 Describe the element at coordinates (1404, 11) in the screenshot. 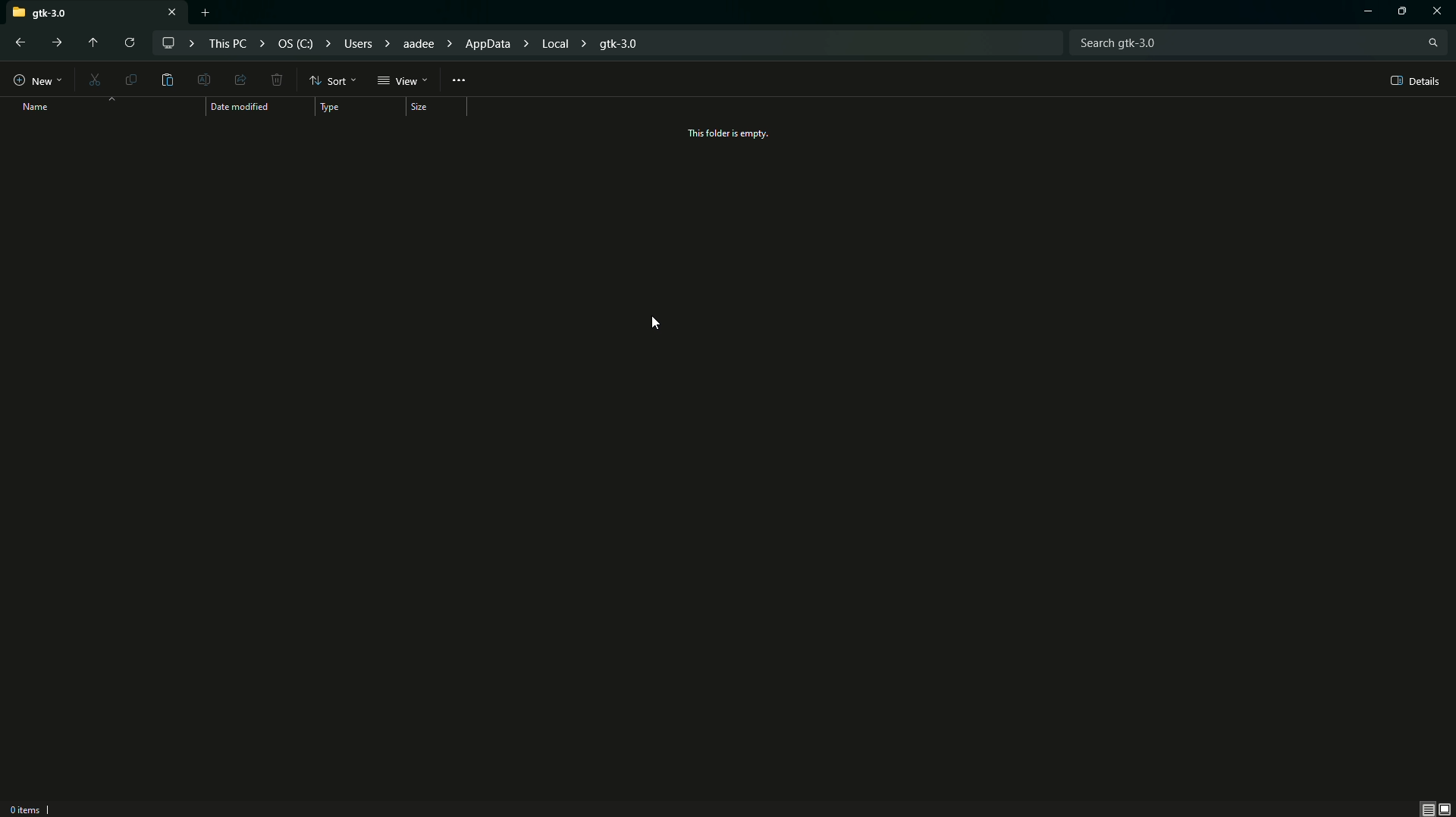

I see `Options` at that location.